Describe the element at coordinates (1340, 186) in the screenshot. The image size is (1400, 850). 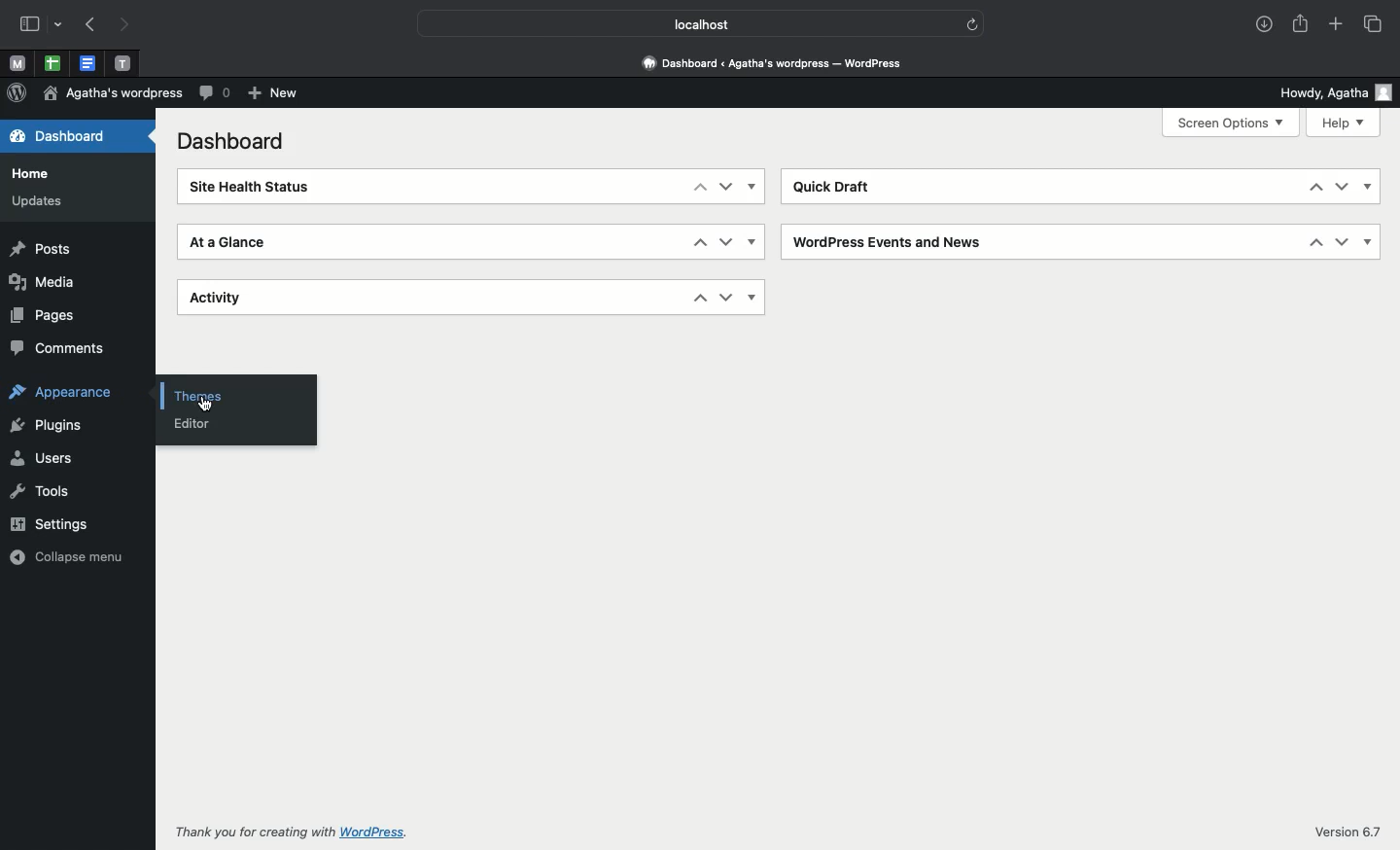
I see `Down` at that location.